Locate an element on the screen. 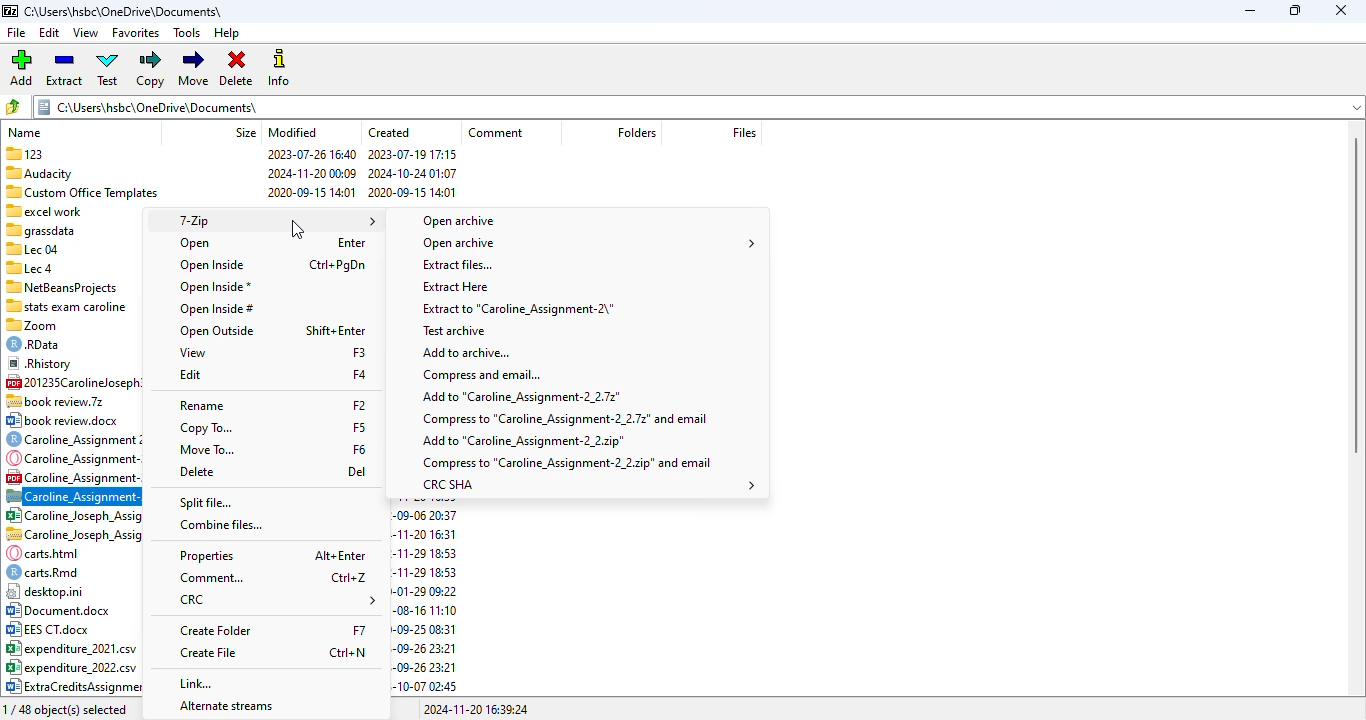 Image resolution: width=1366 pixels, height=720 pixels. move to is located at coordinates (206, 450).